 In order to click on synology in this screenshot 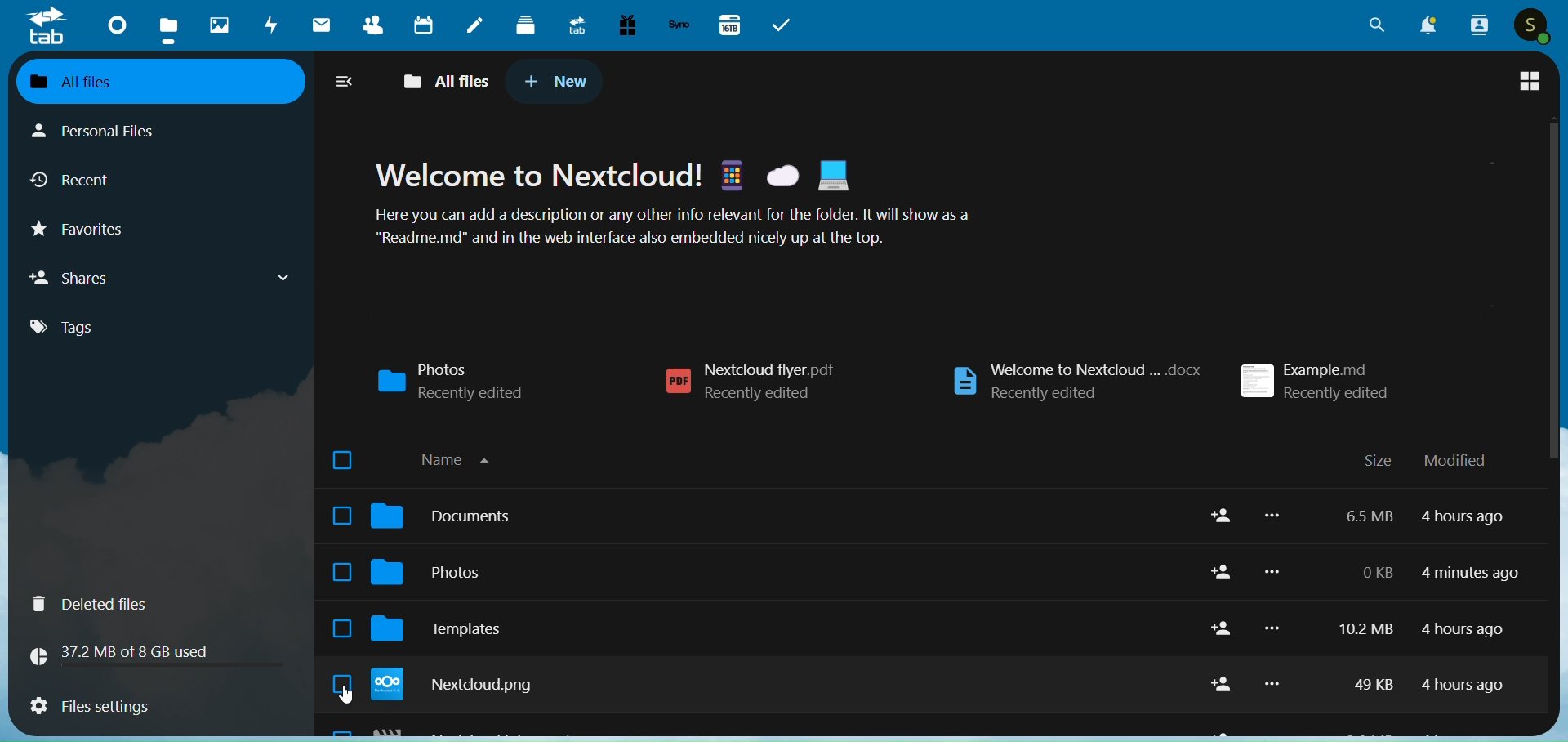, I will do `click(679, 27)`.